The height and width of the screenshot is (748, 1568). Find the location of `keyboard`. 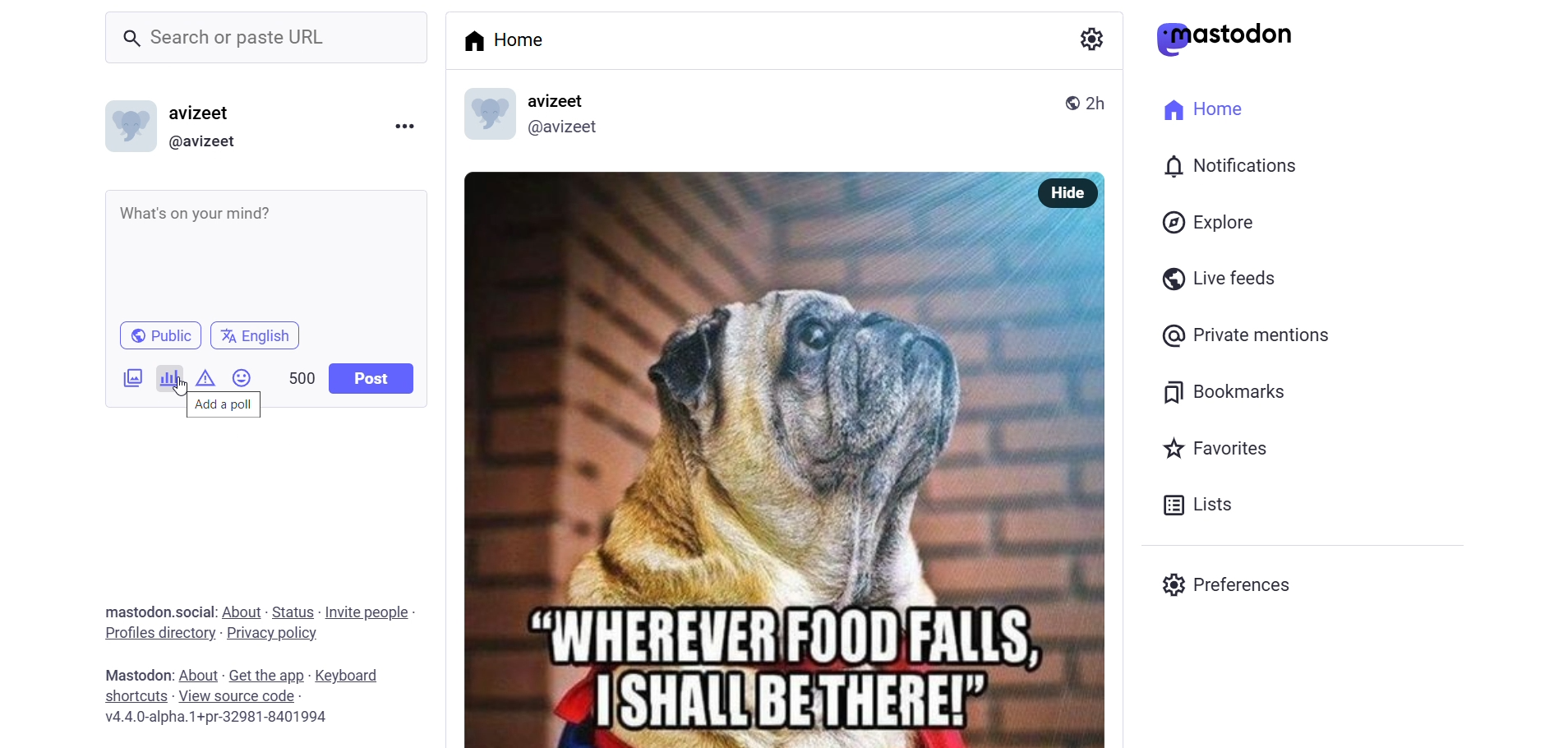

keyboard is located at coordinates (354, 676).